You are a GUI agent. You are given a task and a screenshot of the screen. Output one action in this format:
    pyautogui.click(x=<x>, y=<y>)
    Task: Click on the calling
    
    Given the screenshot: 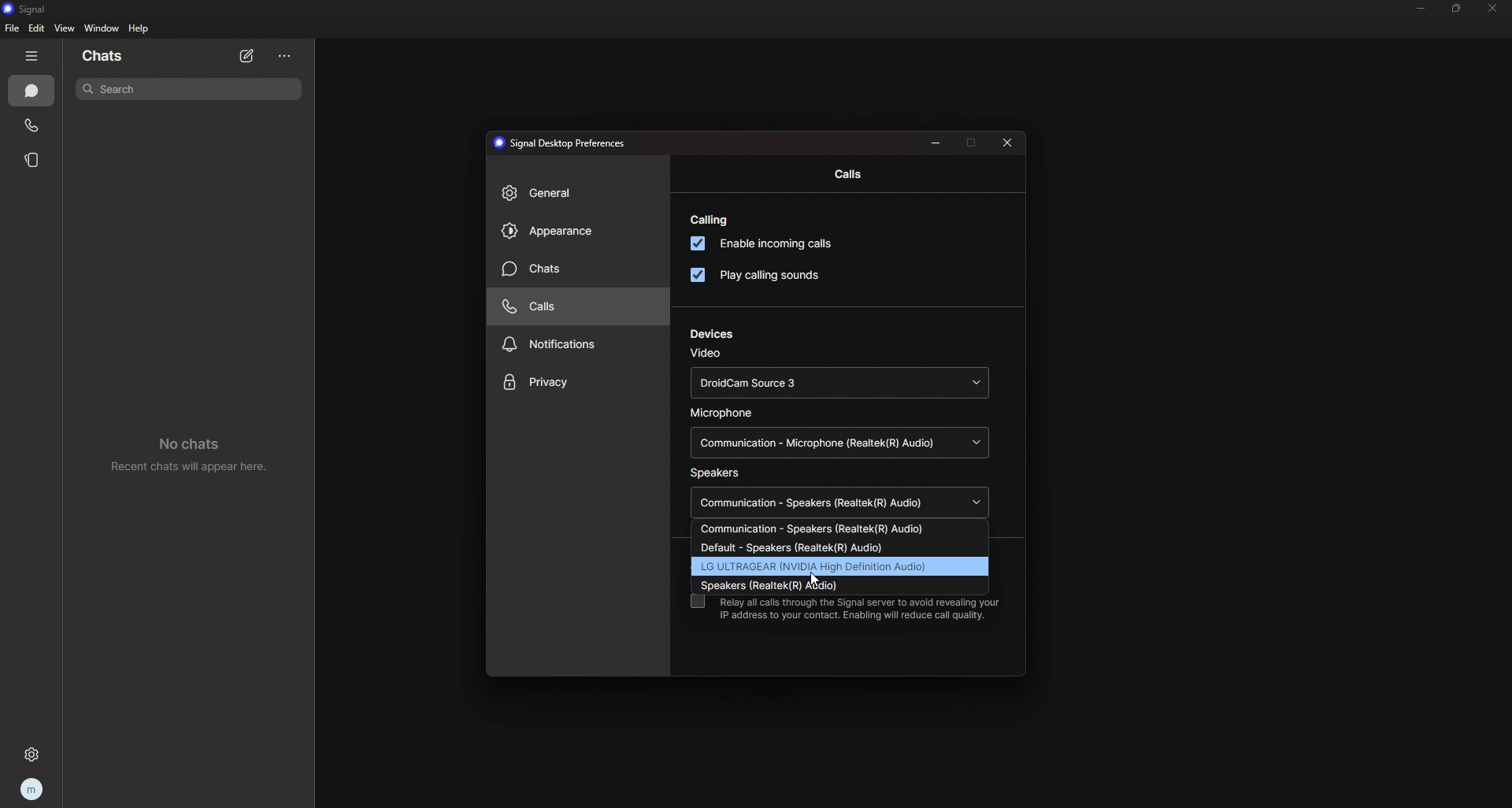 What is the action you would take?
    pyautogui.click(x=710, y=220)
    